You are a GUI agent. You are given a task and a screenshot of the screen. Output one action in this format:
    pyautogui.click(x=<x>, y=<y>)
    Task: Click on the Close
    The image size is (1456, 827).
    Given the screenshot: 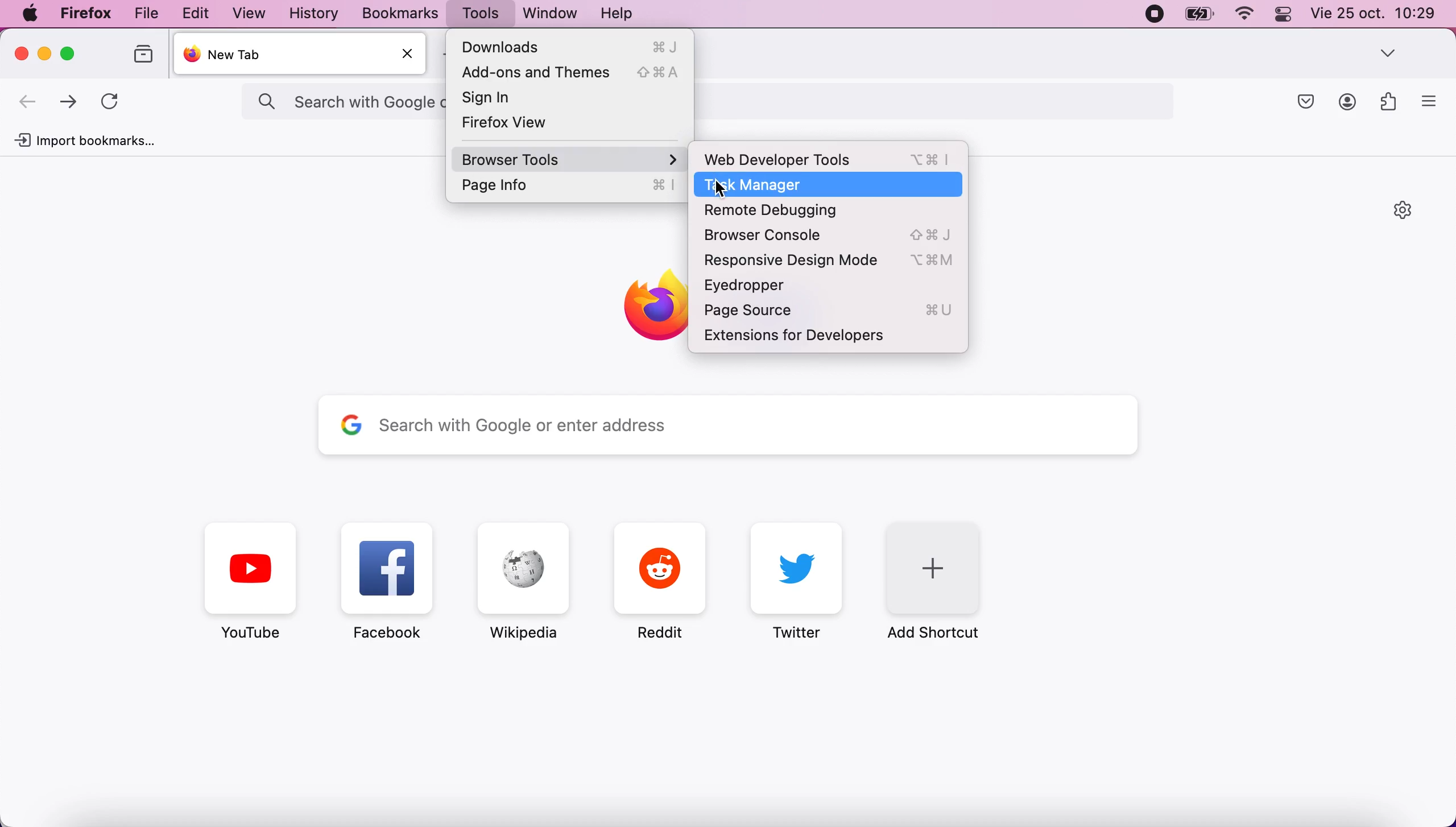 What is the action you would take?
    pyautogui.click(x=23, y=53)
    